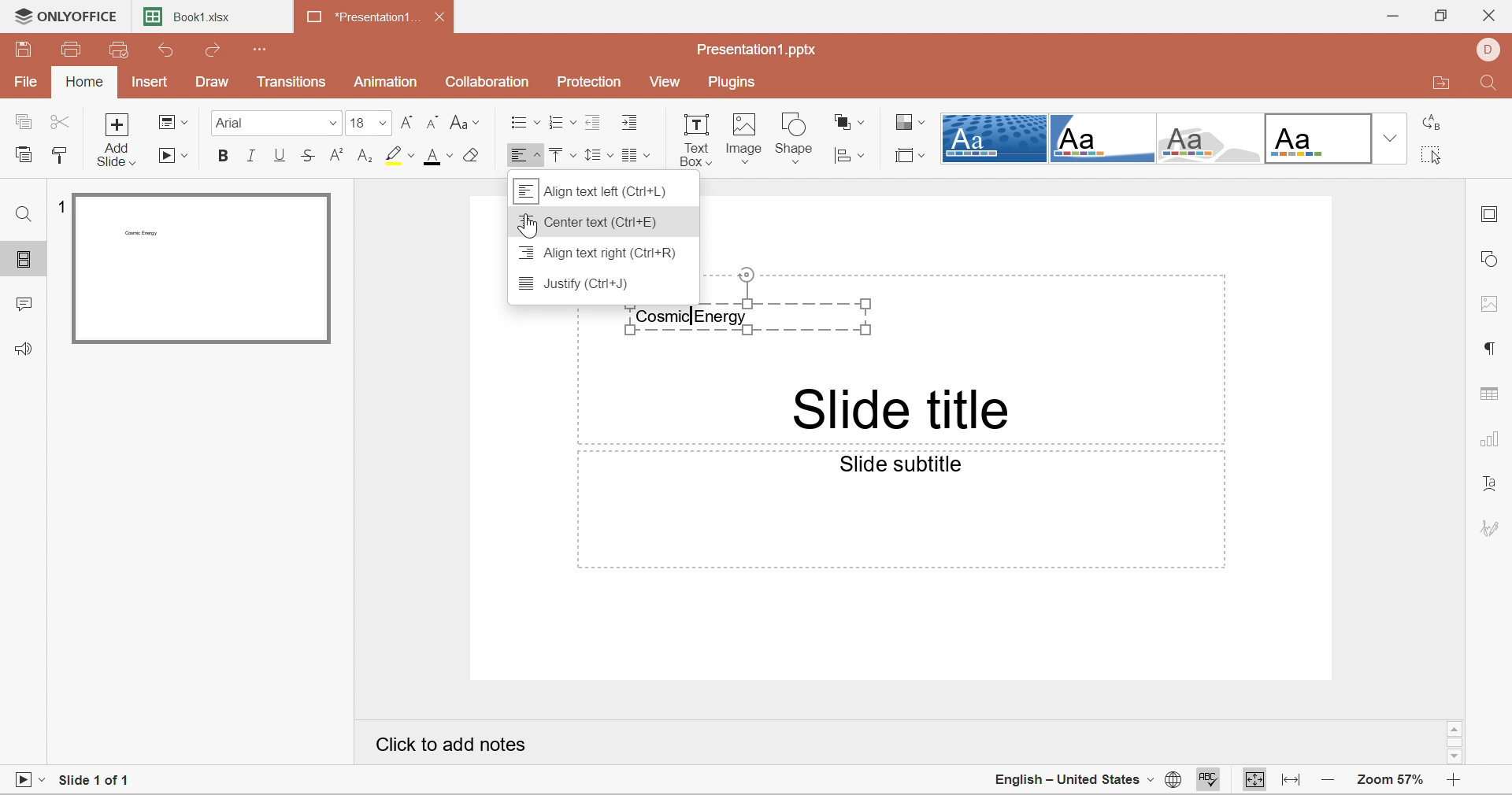 This screenshot has height=795, width=1512. What do you see at coordinates (524, 155) in the screenshot?
I see `Align Left` at bounding box center [524, 155].